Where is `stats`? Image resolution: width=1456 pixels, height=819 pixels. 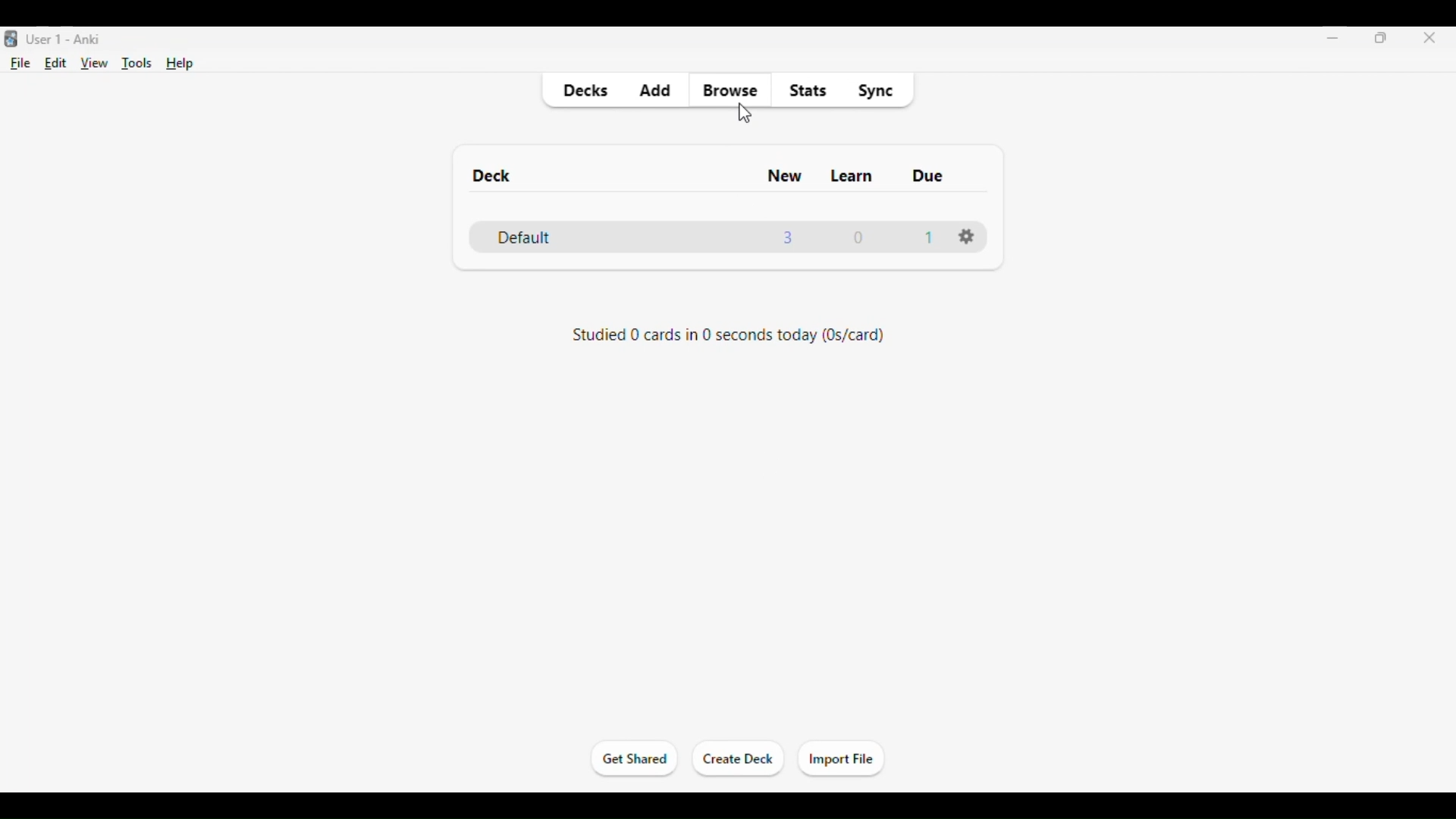 stats is located at coordinates (808, 91).